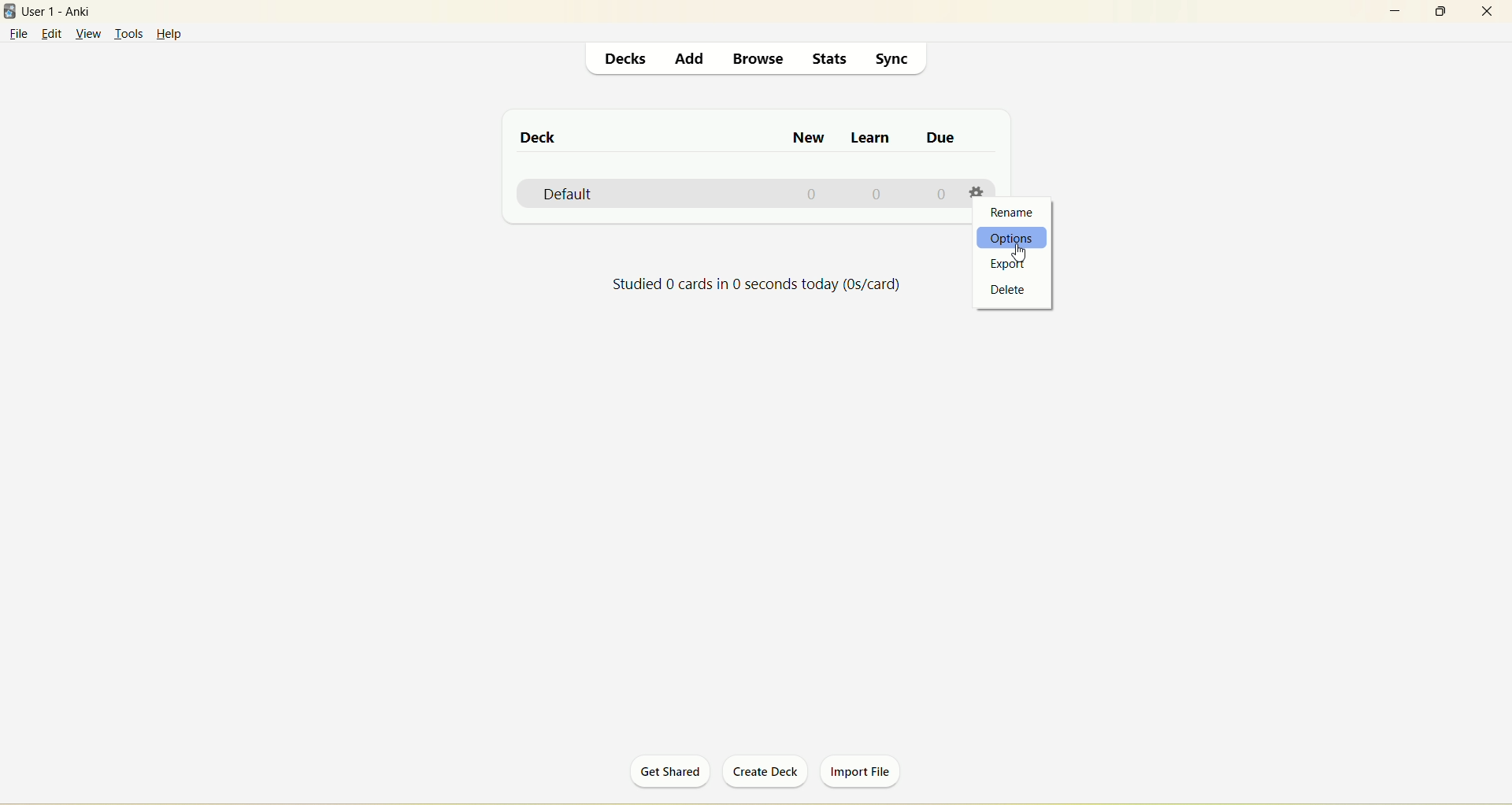  I want to click on delete, so click(1008, 291).